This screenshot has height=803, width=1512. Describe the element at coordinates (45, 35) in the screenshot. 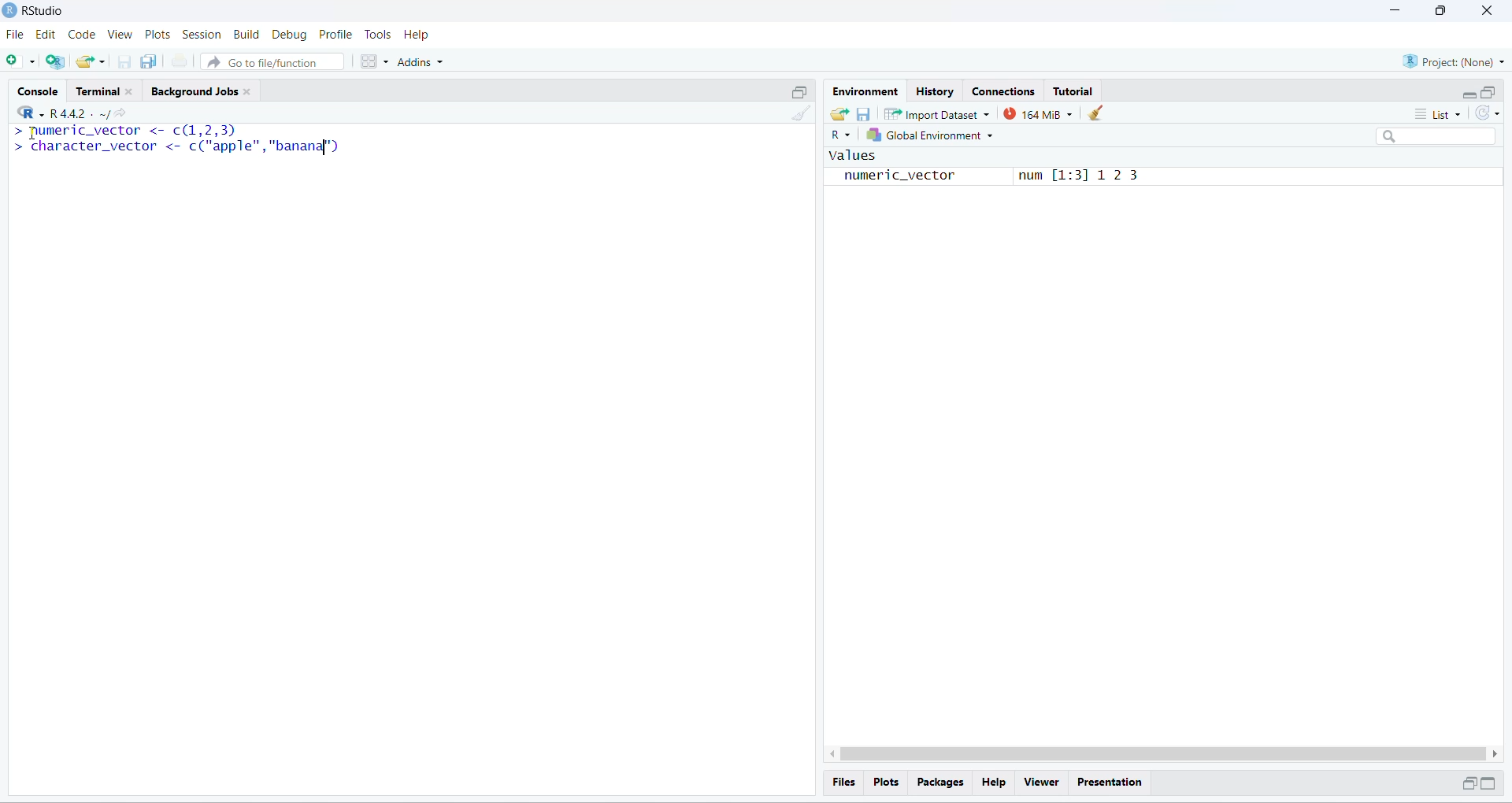

I see `edit` at that location.